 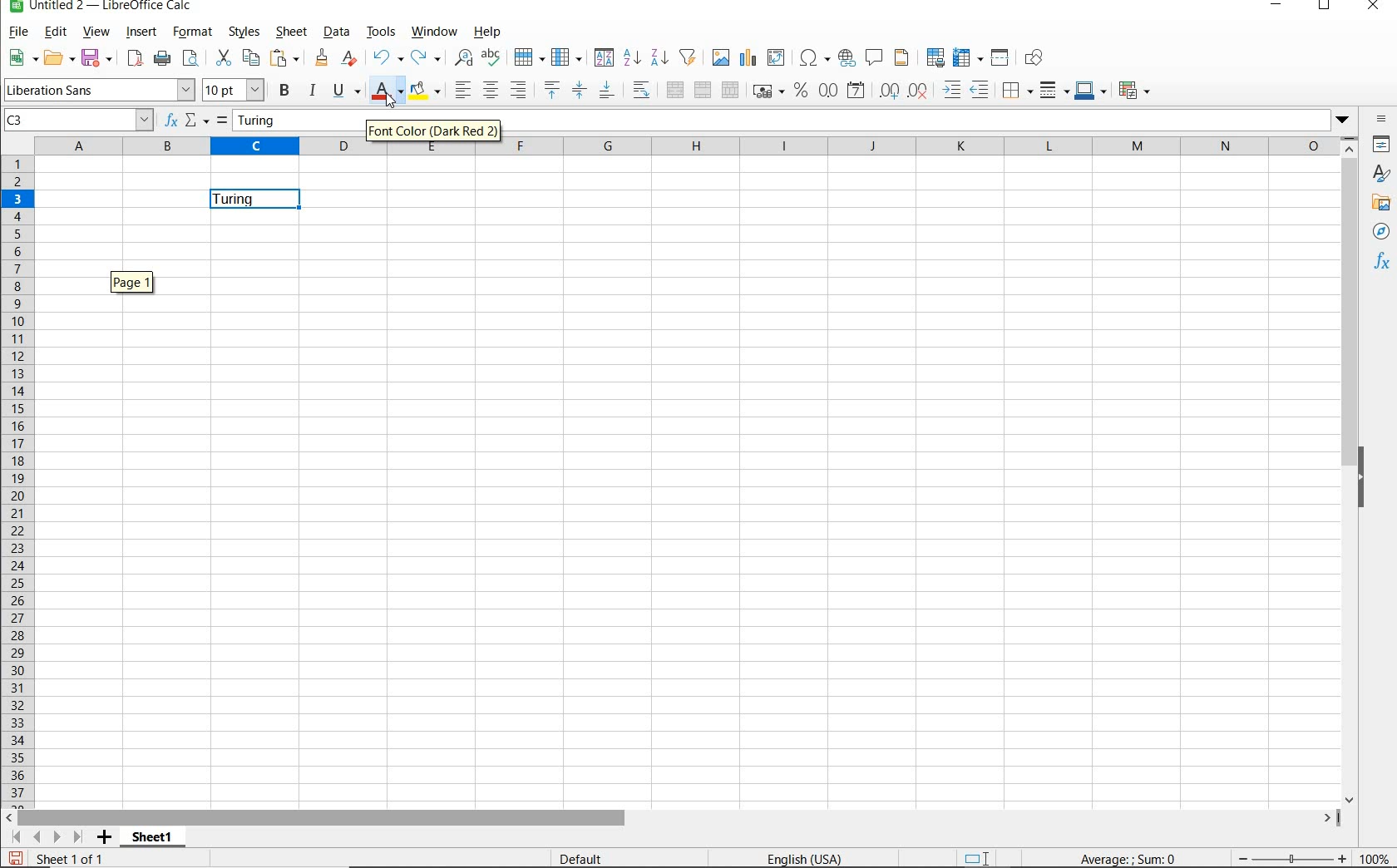 What do you see at coordinates (348, 92) in the screenshot?
I see `UNDERLINE` at bounding box center [348, 92].